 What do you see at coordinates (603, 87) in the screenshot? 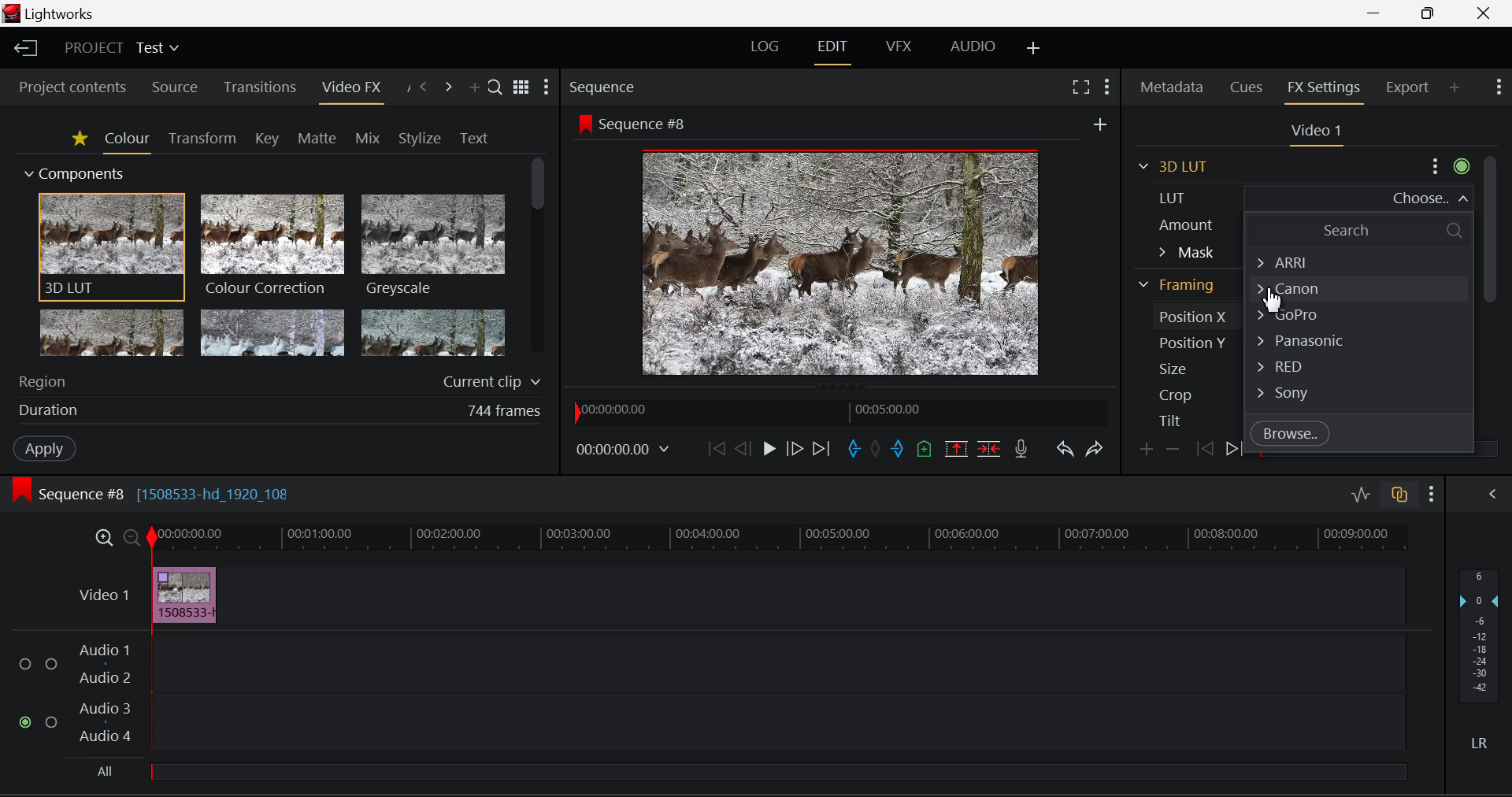
I see `Sequence Preview Section` at bounding box center [603, 87].